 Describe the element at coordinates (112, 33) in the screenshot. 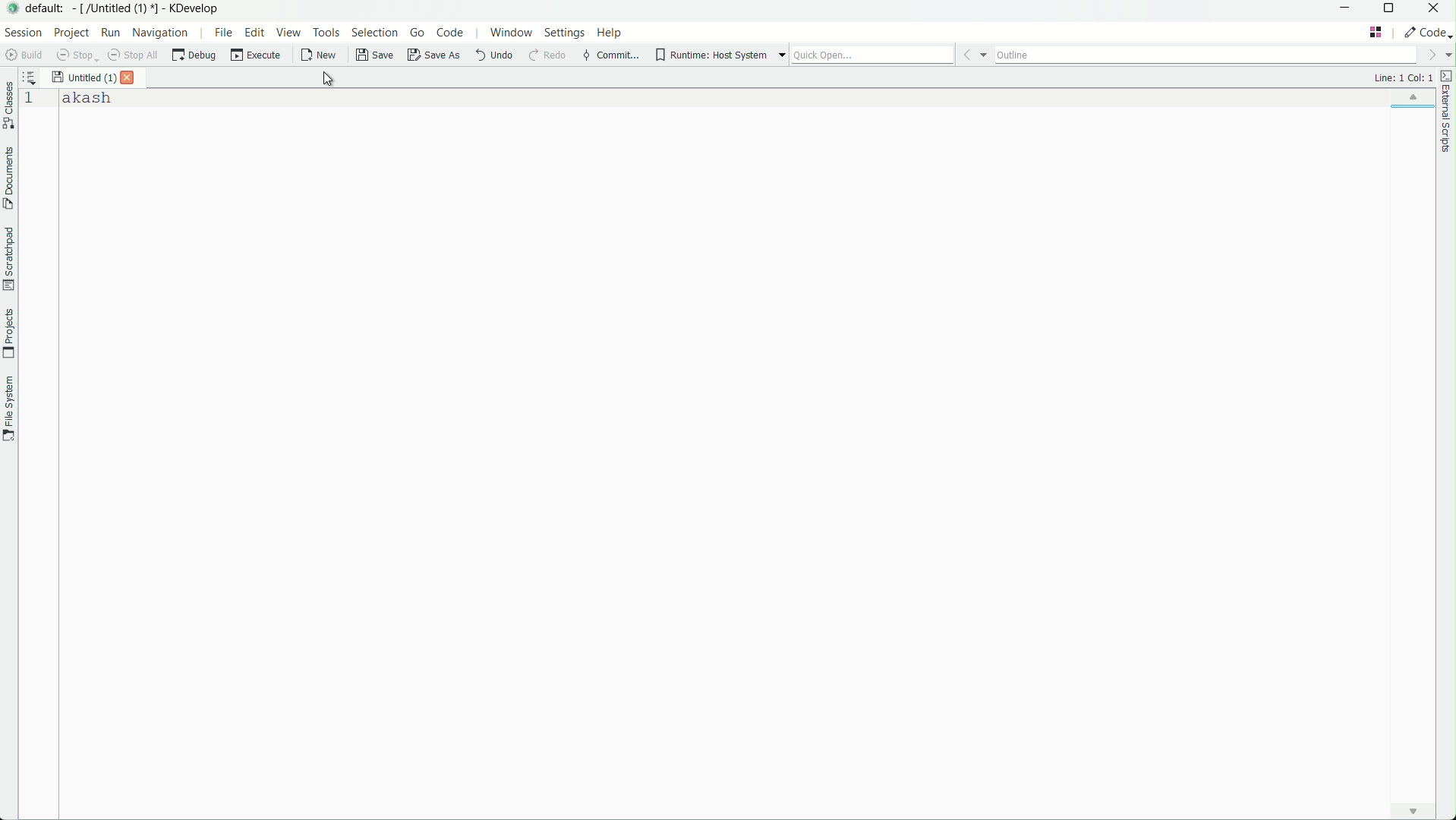

I see `run` at that location.